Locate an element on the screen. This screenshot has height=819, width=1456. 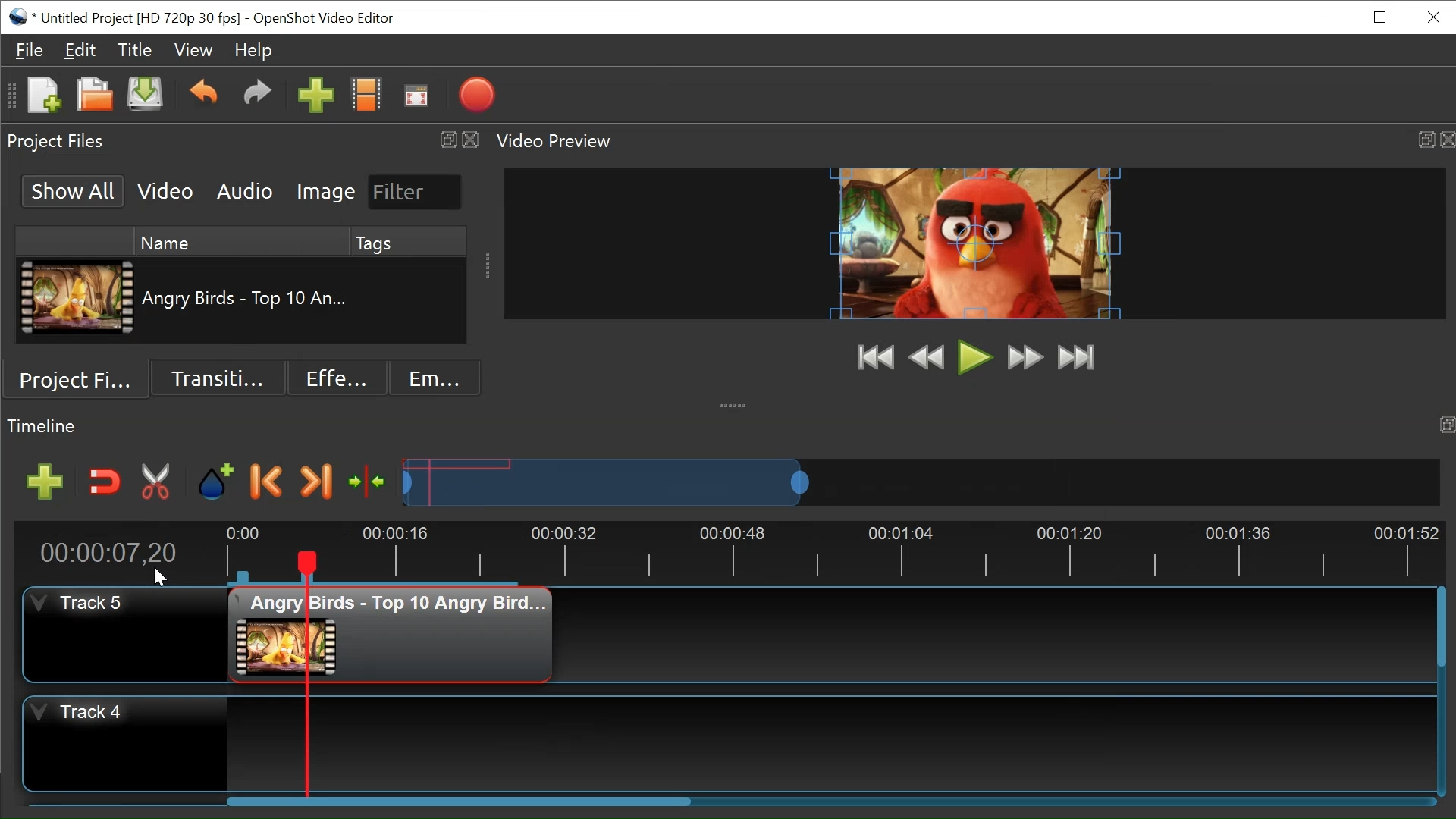
Horizontal Scroll bar is located at coordinates (457, 802).